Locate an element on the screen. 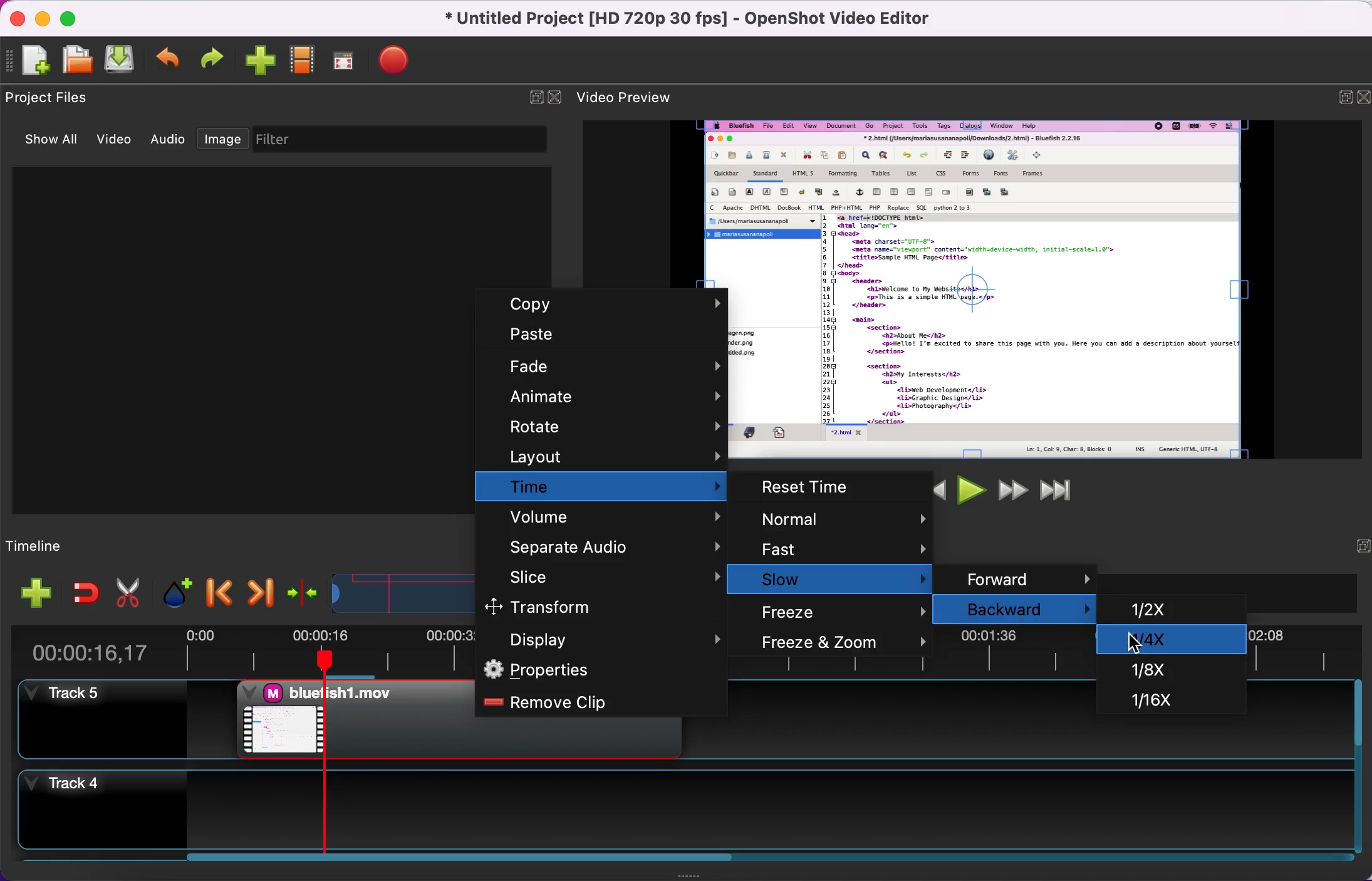  time is located at coordinates (604, 487).